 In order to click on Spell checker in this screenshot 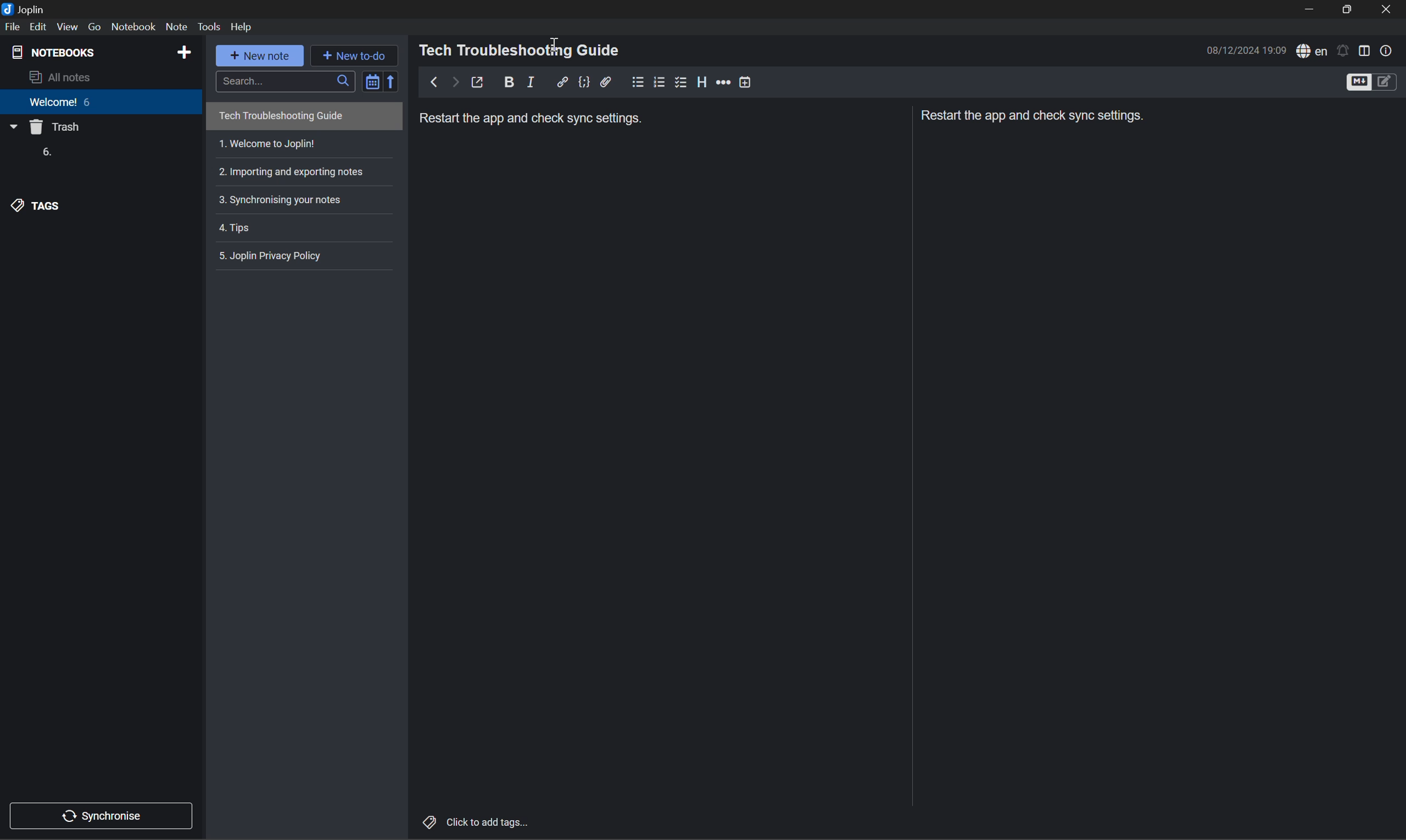, I will do `click(1310, 51)`.